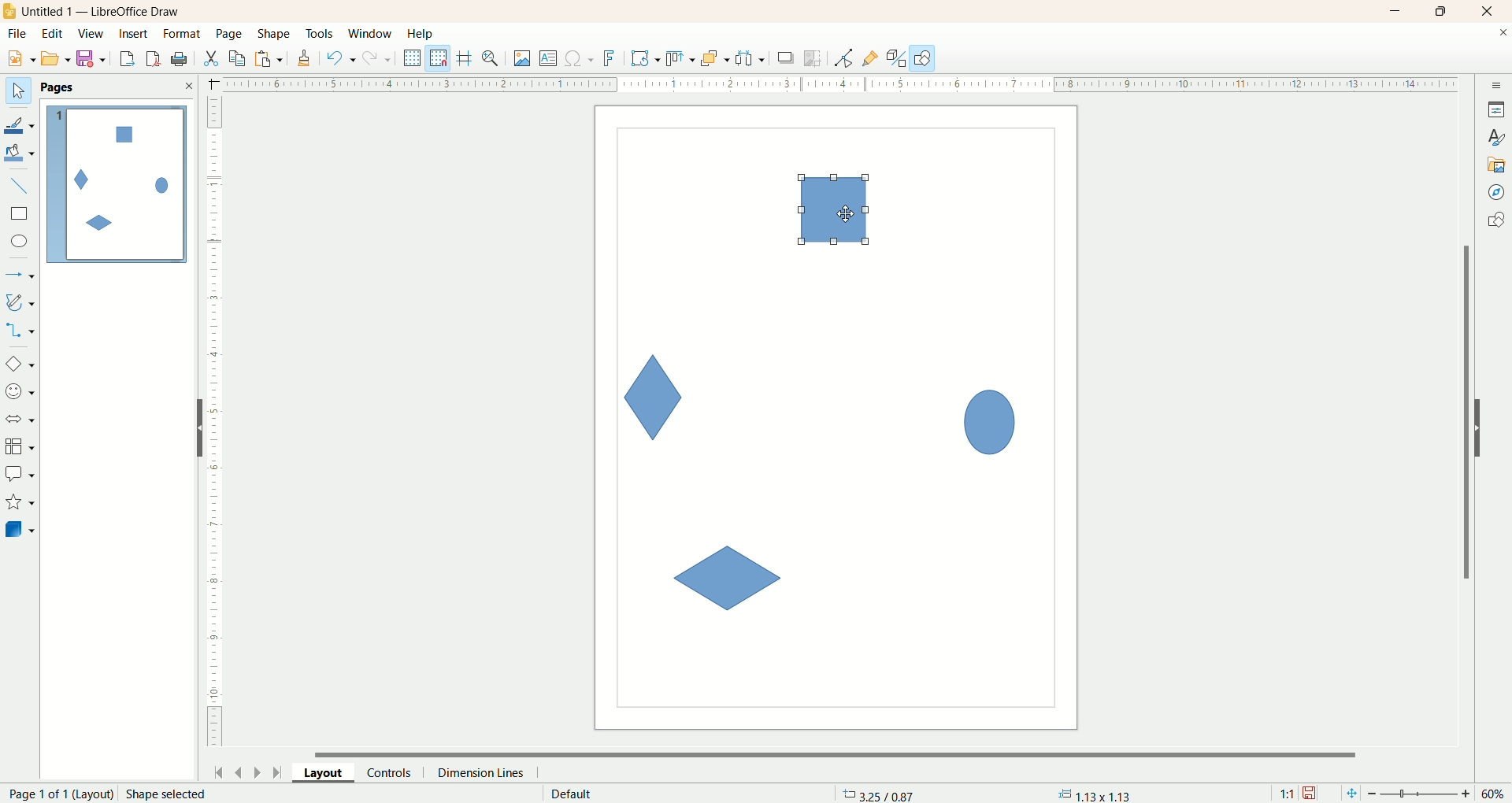 This screenshot has height=803, width=1512. Describe the element at coordinates (18, 91) in the screenshot. I see `select` at that location.